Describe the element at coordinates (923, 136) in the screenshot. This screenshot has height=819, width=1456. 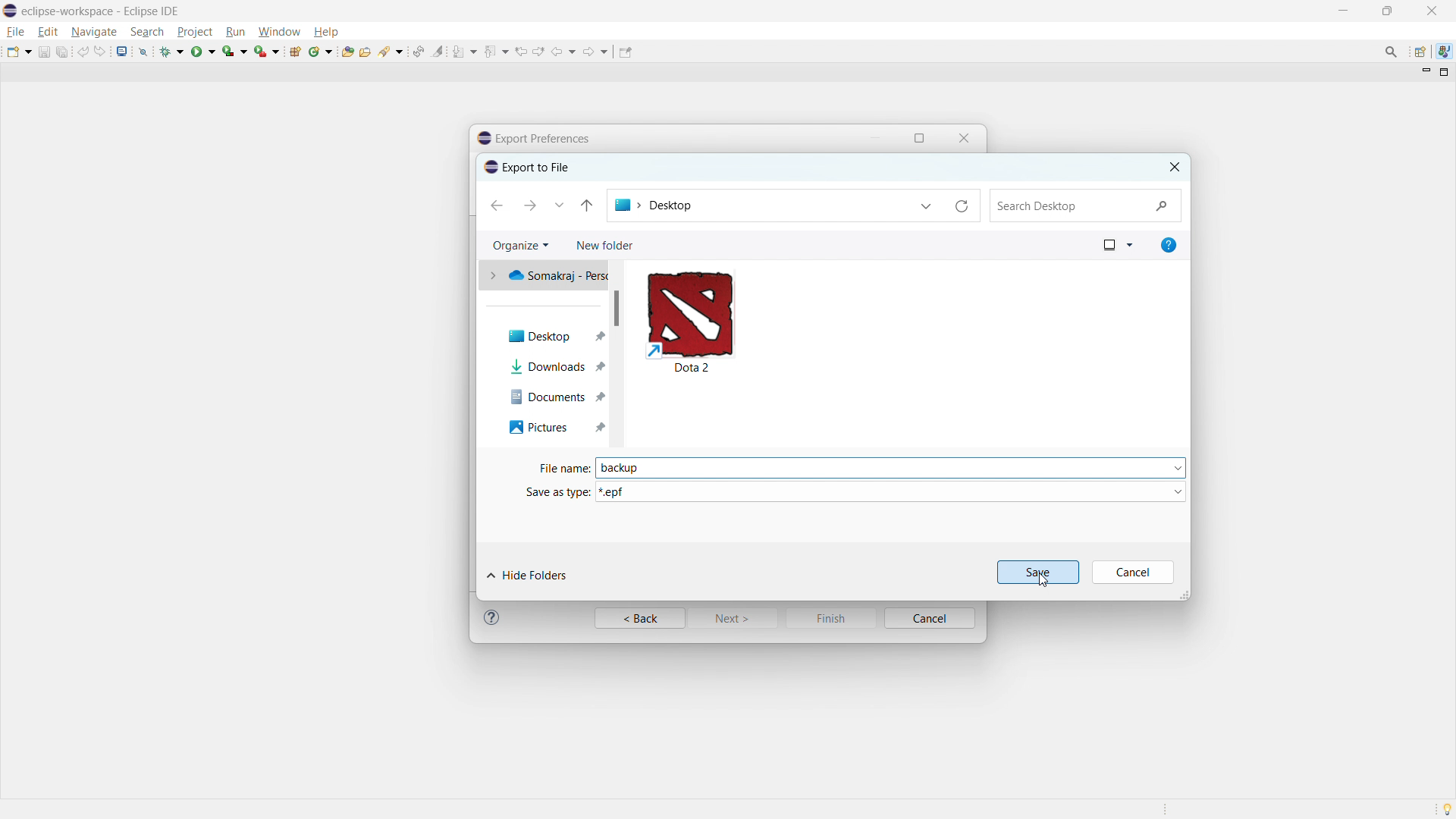
I see `maximize` at that location.